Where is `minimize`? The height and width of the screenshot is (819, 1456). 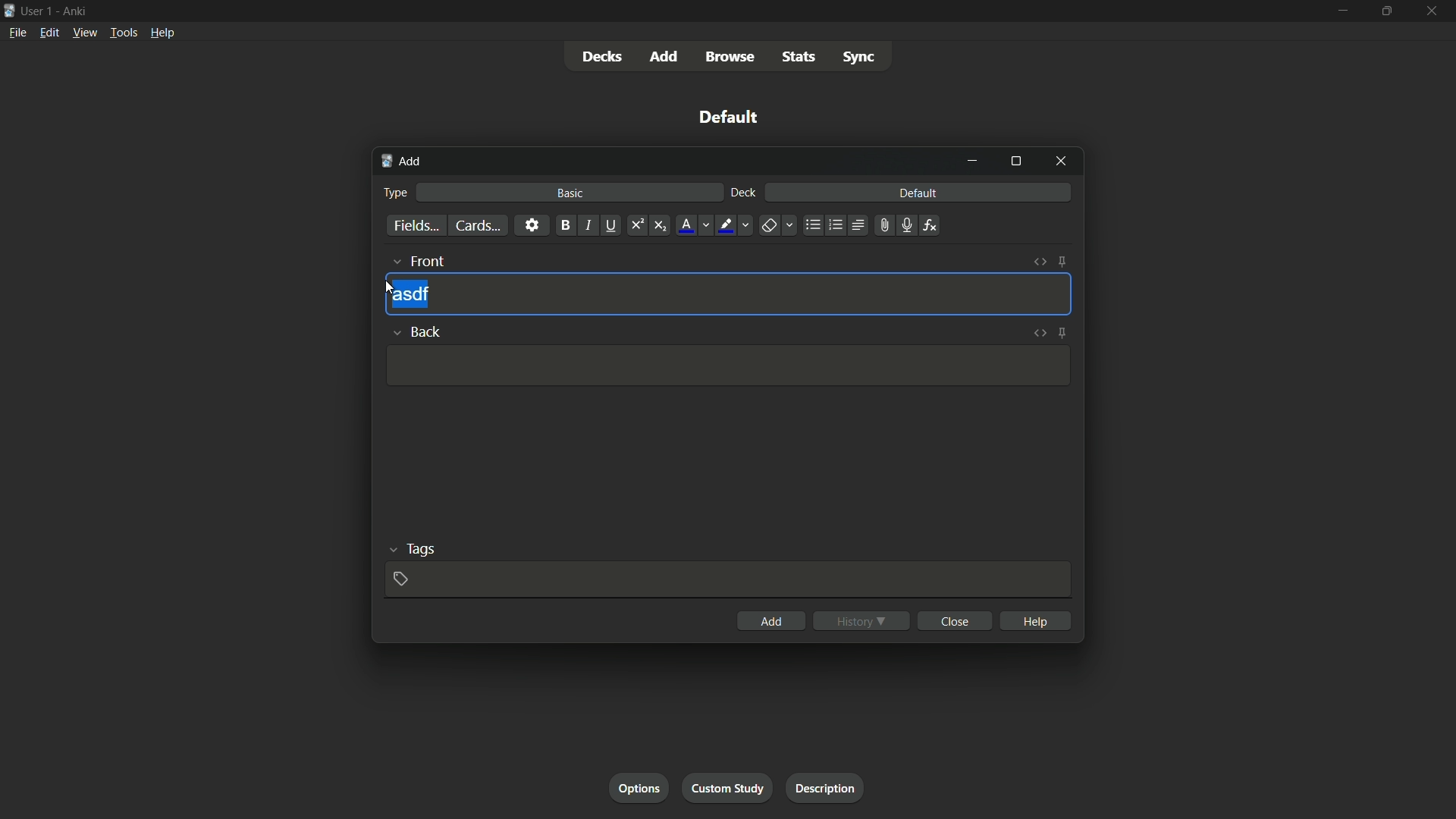 minimize is located at coordinates (972, 161).